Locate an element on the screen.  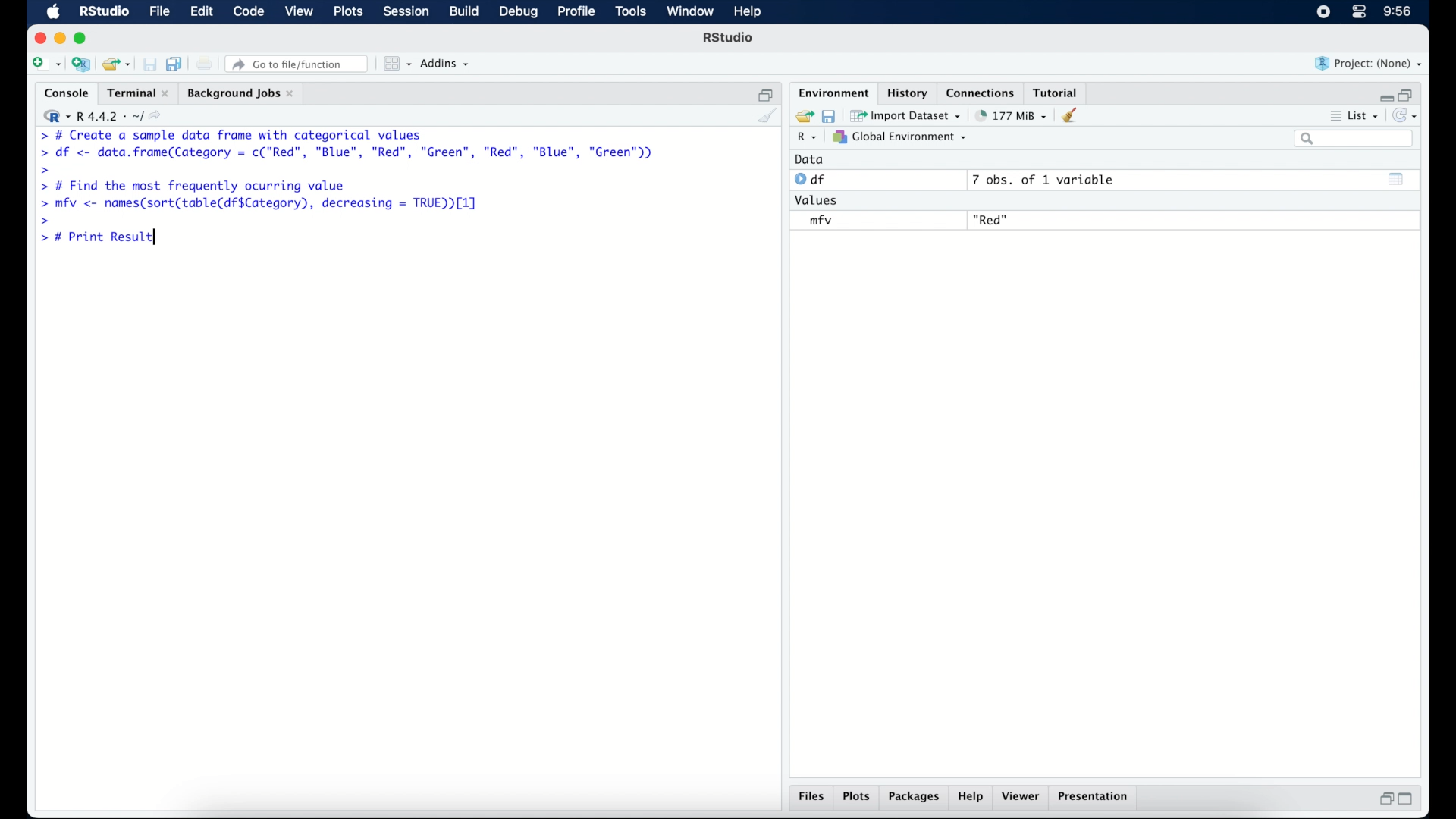
connections is located at coordinates (982, 92).